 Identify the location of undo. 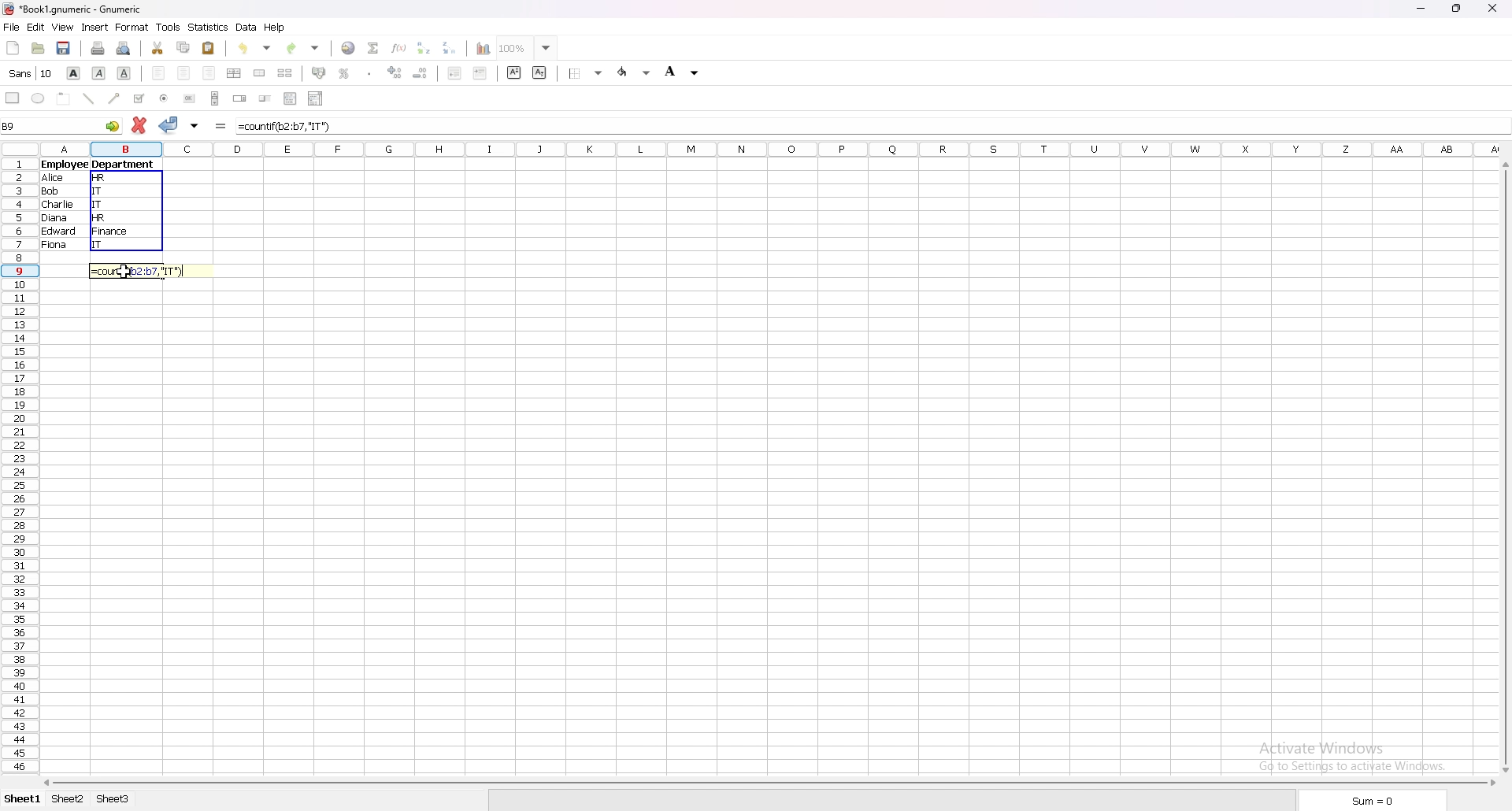
(254, 49).